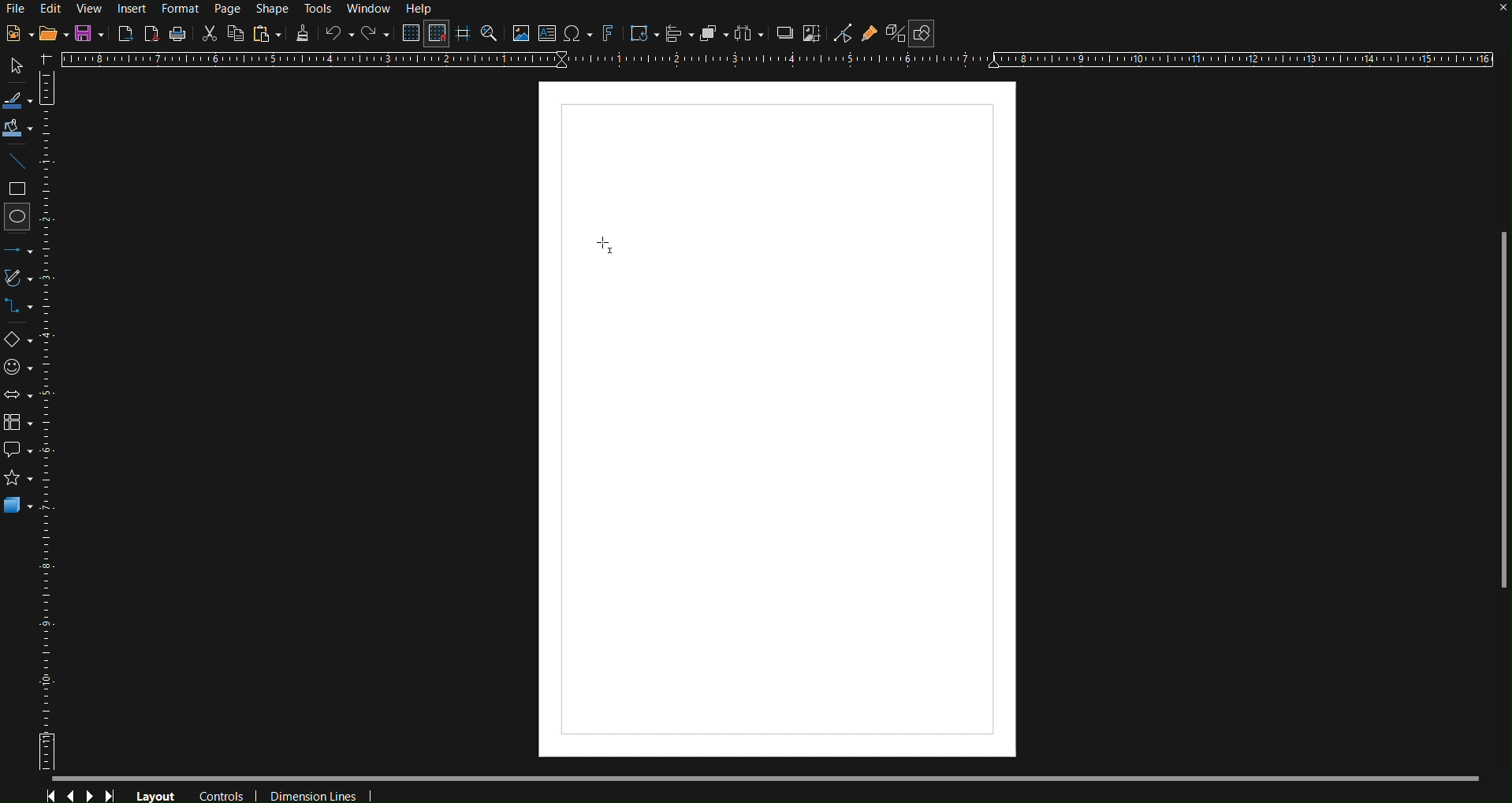 This screenshot has width=1512, height=803. Describe the element at coordinates (20, 164) in the screenshot. I see `Insert Line` at that location.